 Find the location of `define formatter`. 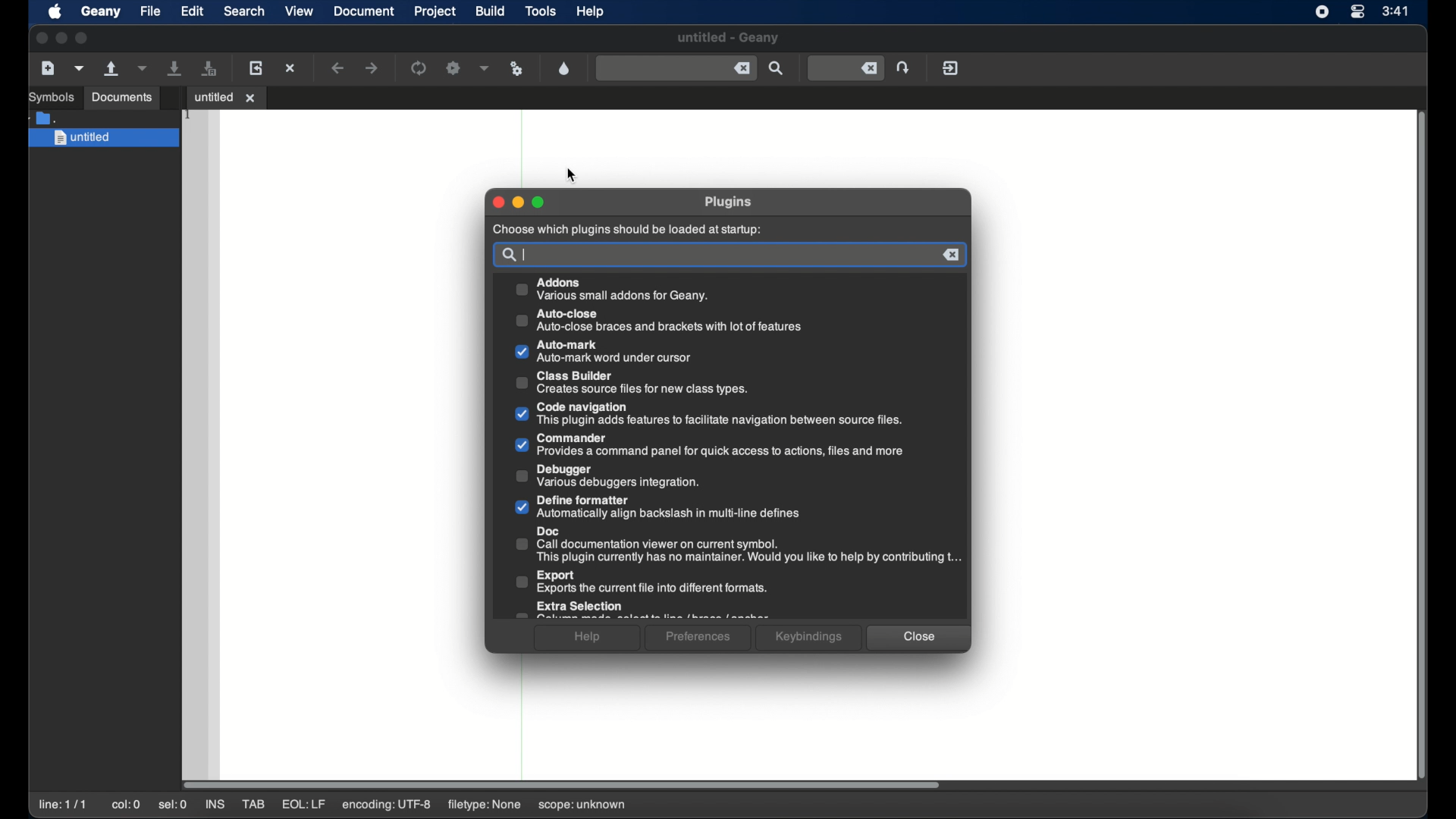

define formatter is located at coordinates (657, 508).